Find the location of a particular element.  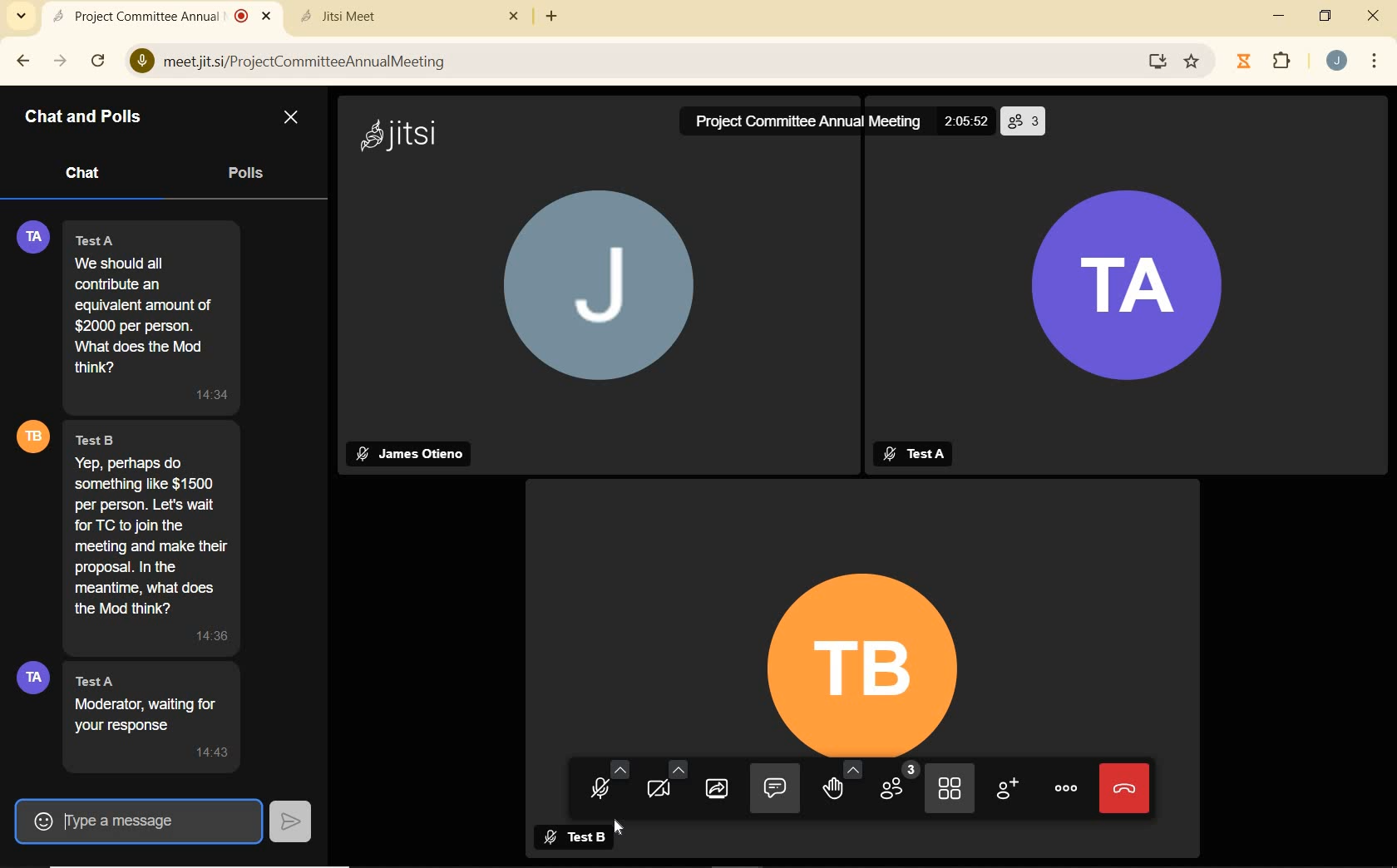

User Profile is located at coordinates (27, 234).